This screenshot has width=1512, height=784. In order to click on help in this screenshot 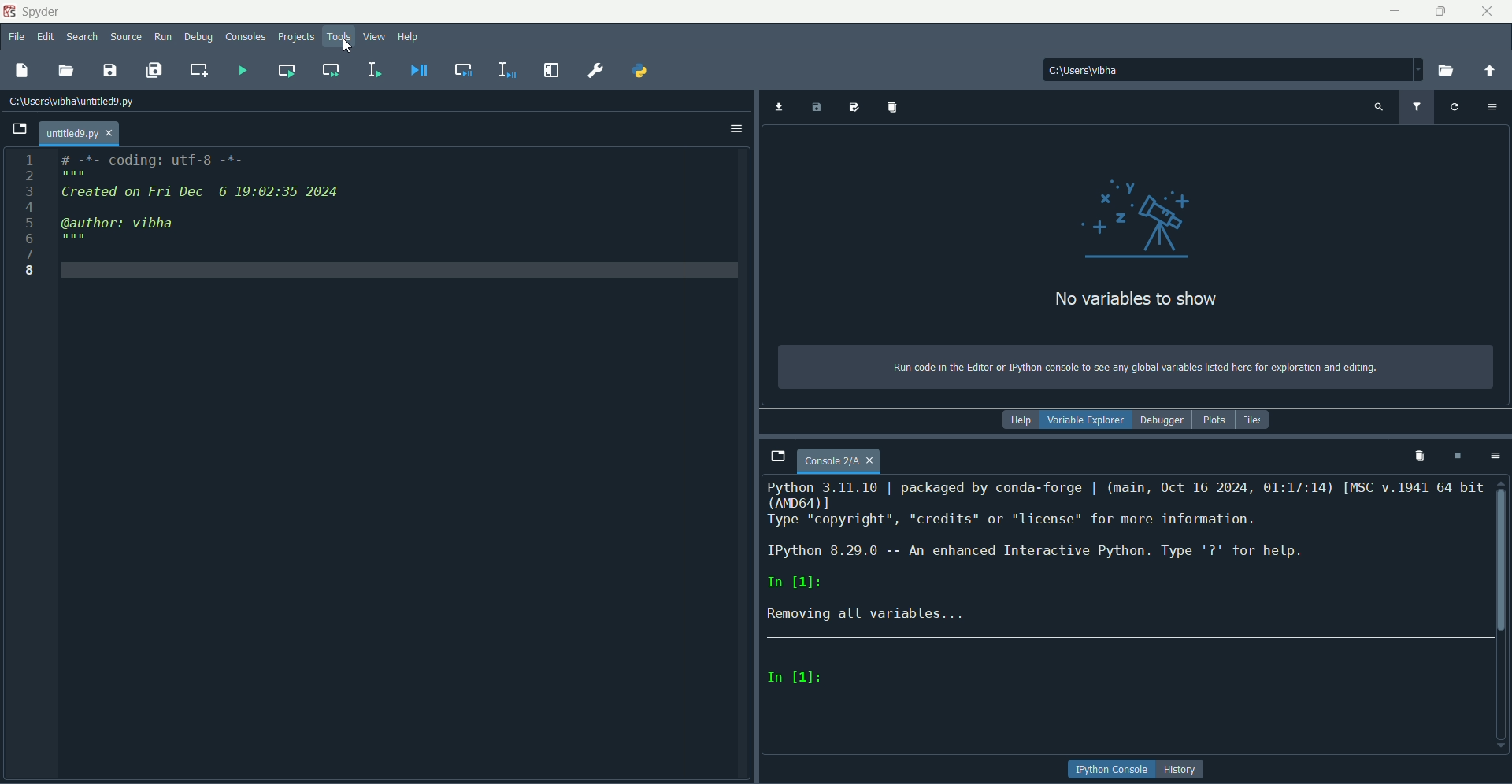, I will do `click(409, 38)`.